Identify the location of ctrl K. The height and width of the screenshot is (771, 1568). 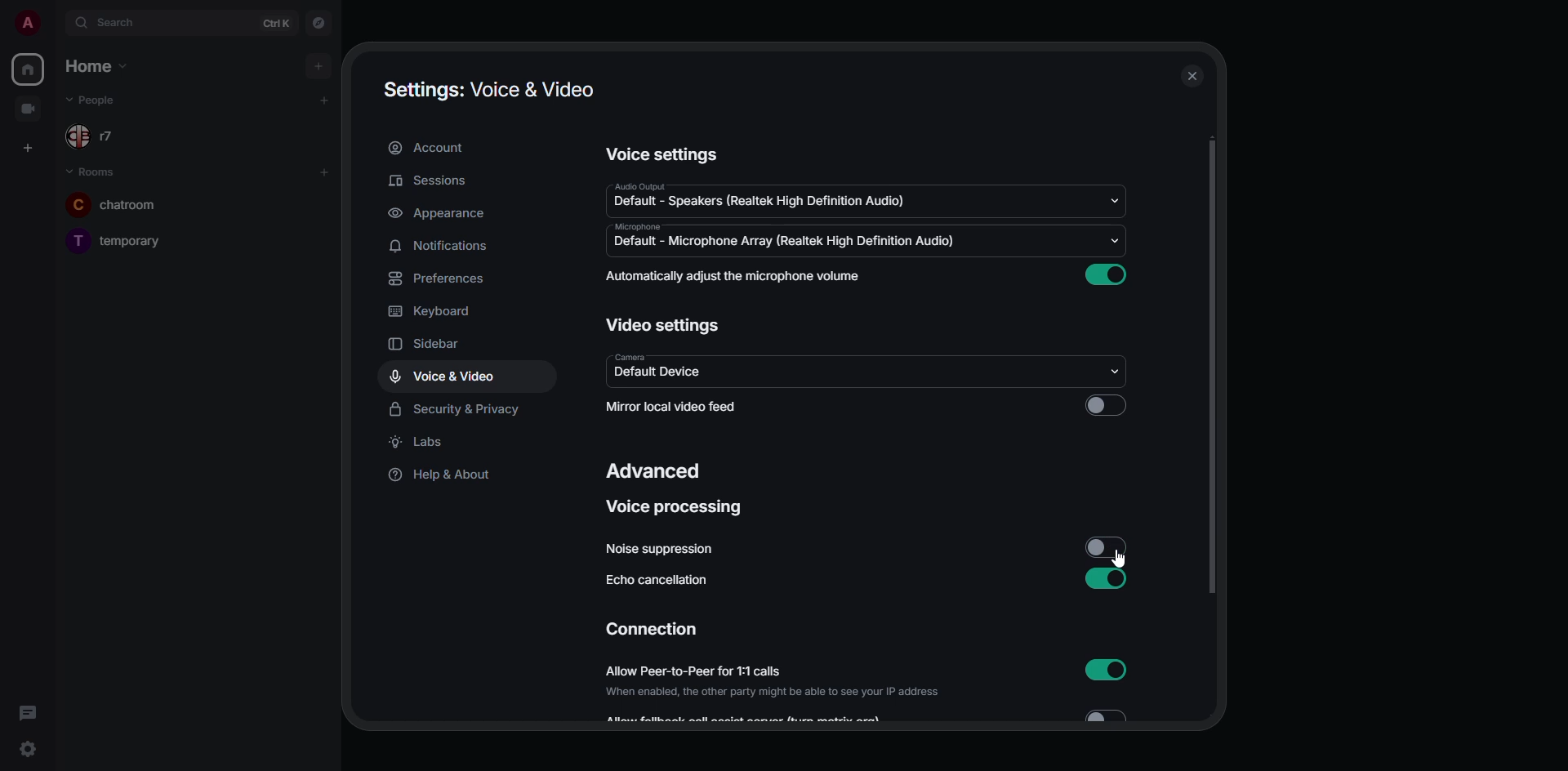
(277, 24).